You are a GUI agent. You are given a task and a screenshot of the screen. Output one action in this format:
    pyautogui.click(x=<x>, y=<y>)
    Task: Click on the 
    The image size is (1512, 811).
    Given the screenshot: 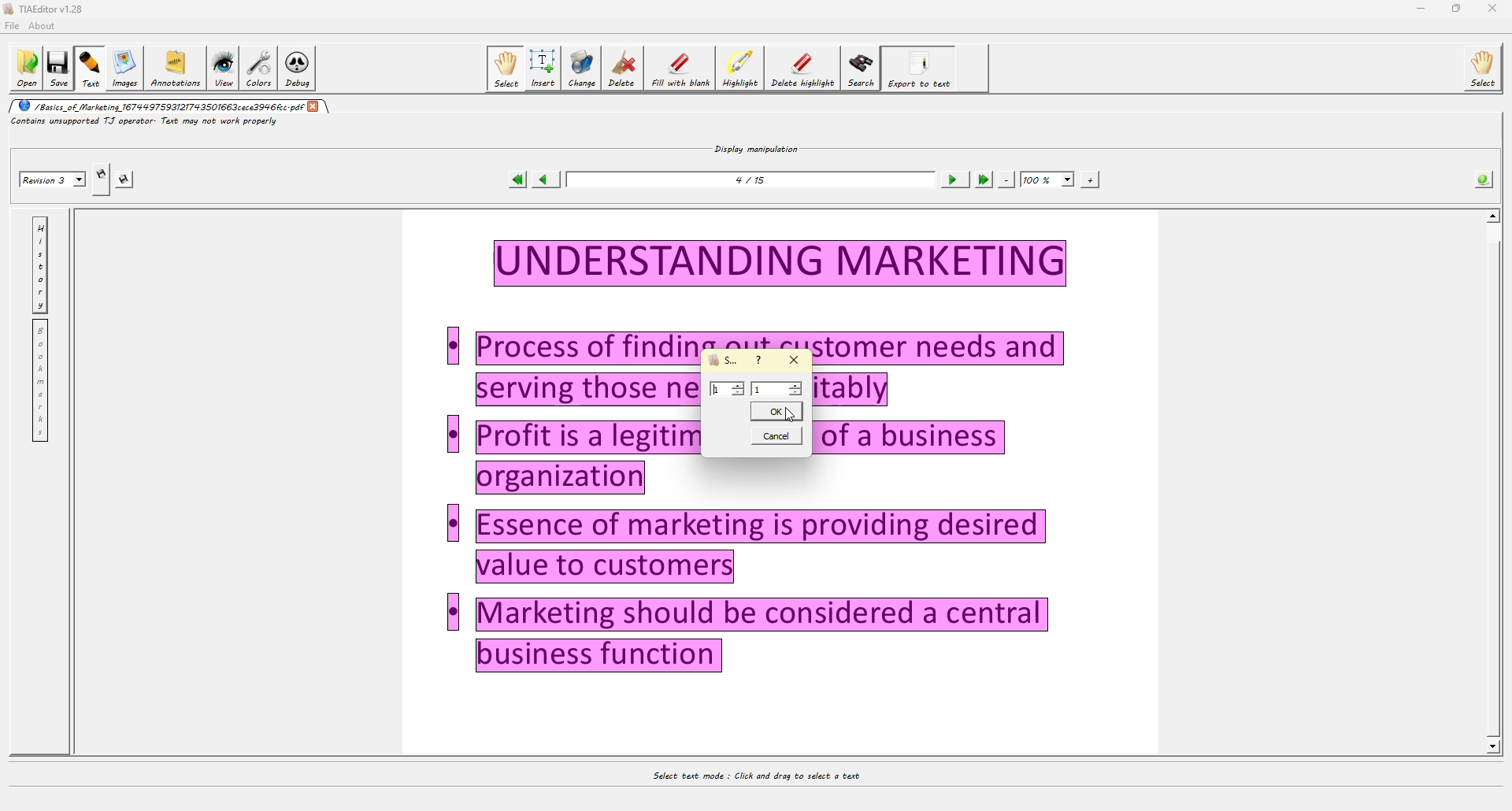 What is the action you would take?
    pyautogui.click(x=1495, y=11)
    